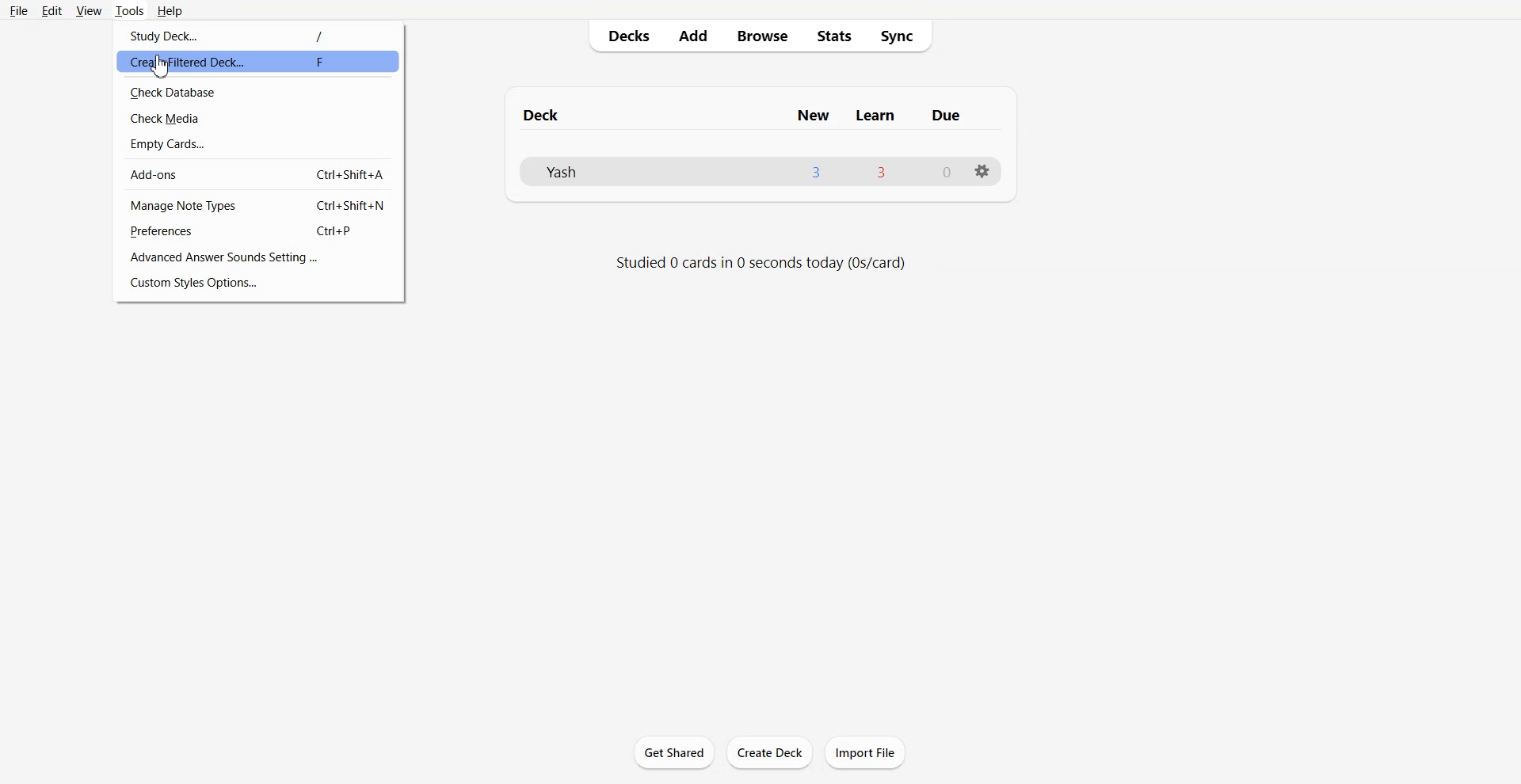  I want to click on Get Shared, so click(674, 752).